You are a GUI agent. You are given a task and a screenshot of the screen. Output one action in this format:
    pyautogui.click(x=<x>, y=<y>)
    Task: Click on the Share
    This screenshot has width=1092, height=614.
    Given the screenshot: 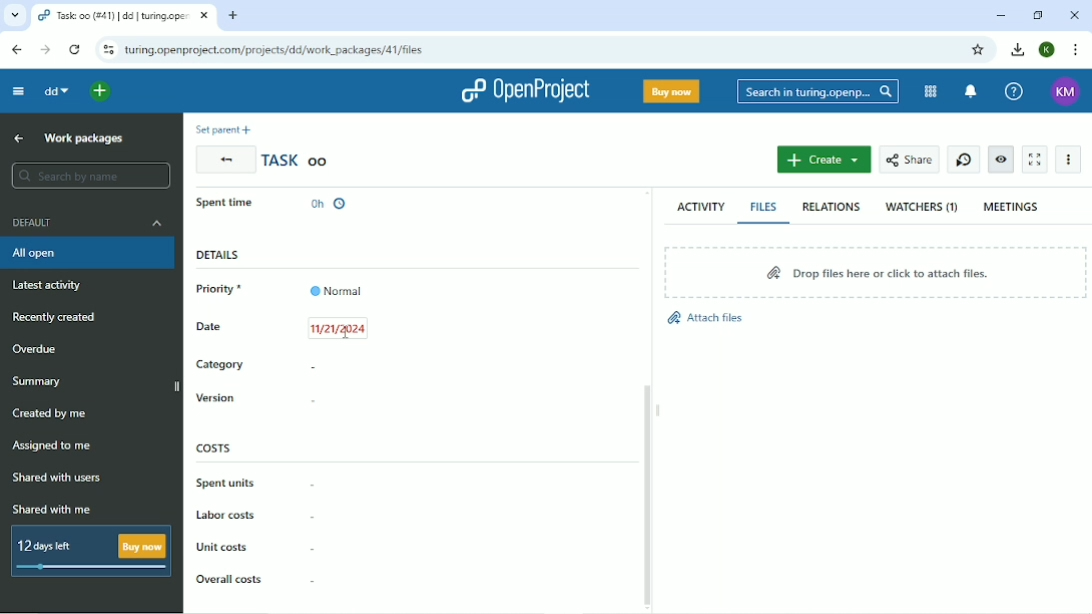 What is the action you would take?
    pyautogui.click(x=909, y=160)
    